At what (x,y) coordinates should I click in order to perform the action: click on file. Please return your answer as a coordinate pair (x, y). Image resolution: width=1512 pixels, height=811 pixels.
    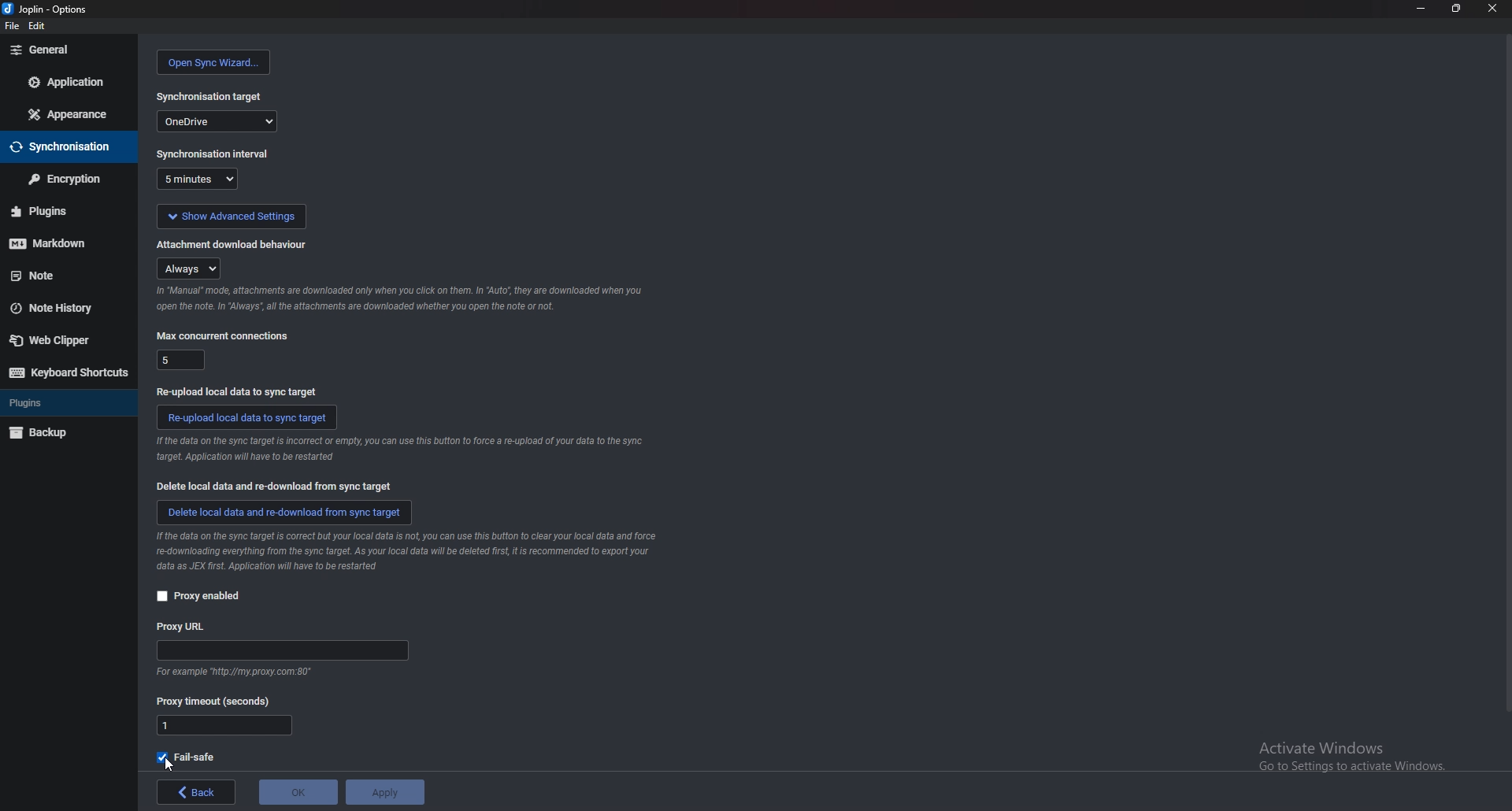
    Looking at the image, I should click on (10, 25).